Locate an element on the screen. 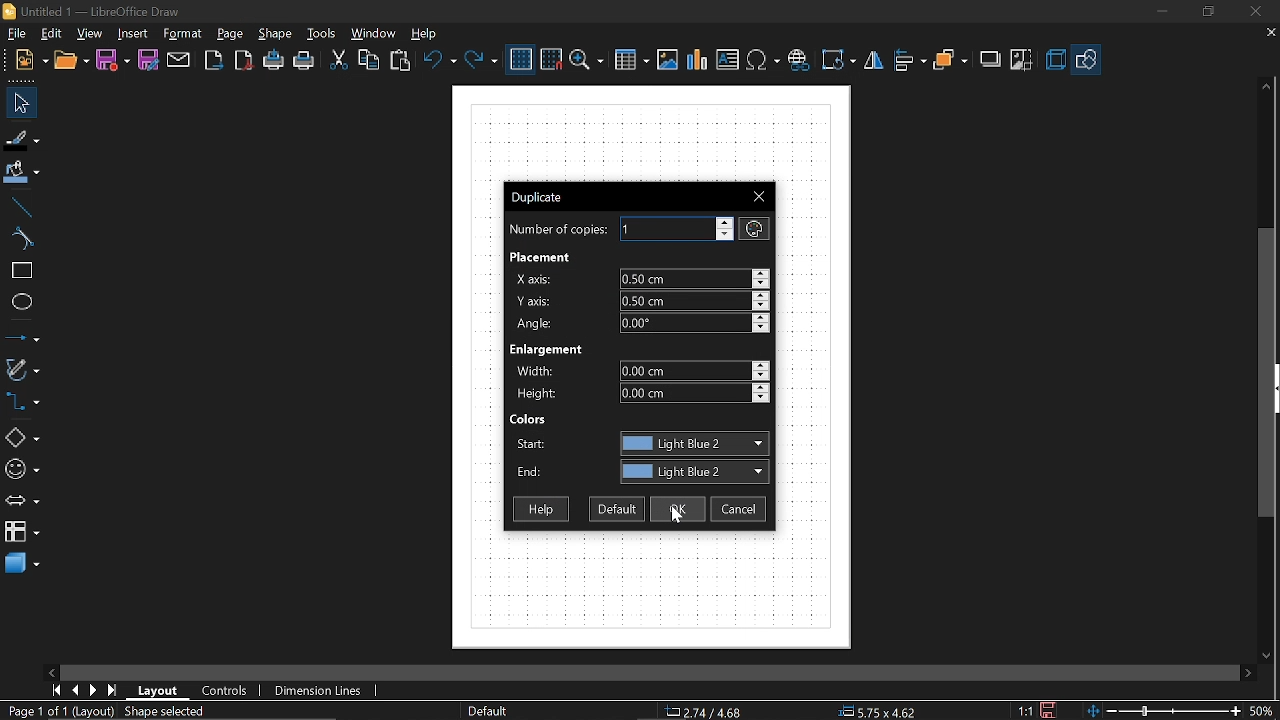 This screenshot has height=720, width=1280. go to first page is located at coordinates (56, 690).